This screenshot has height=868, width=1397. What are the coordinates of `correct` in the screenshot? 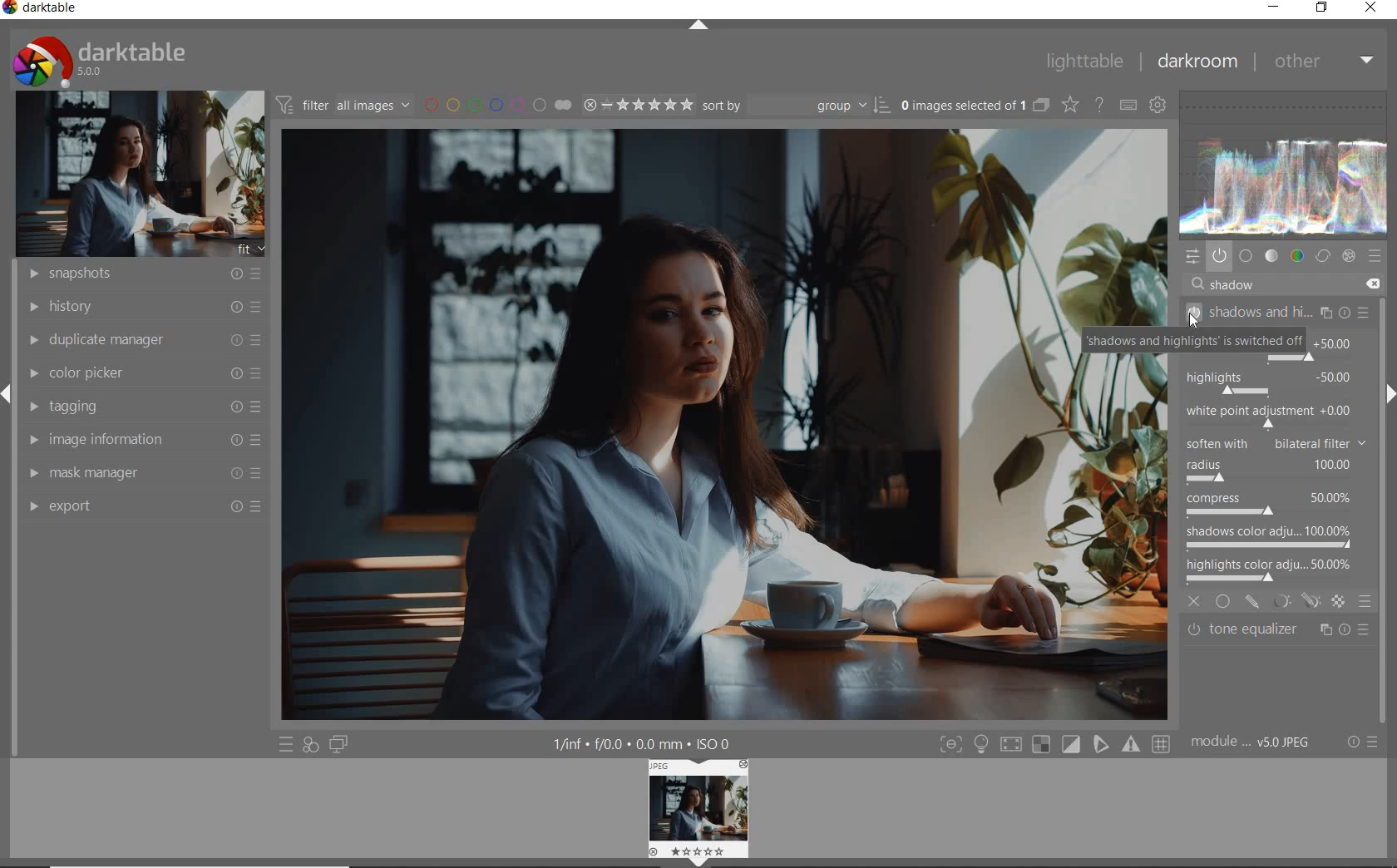 It's located at (1322, 255).